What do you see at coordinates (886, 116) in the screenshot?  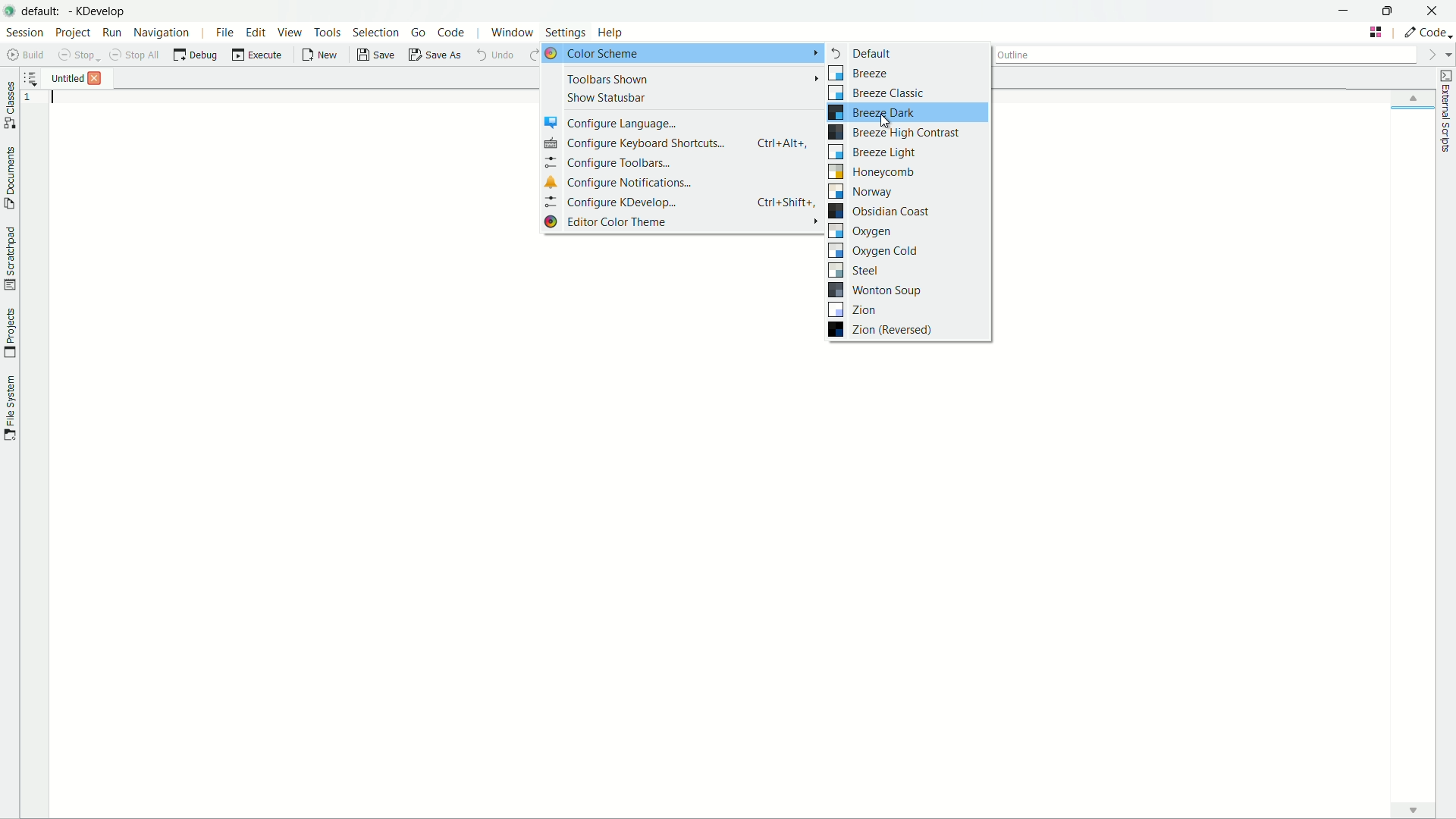 I see `cursor` at bounding box center [886, 116].